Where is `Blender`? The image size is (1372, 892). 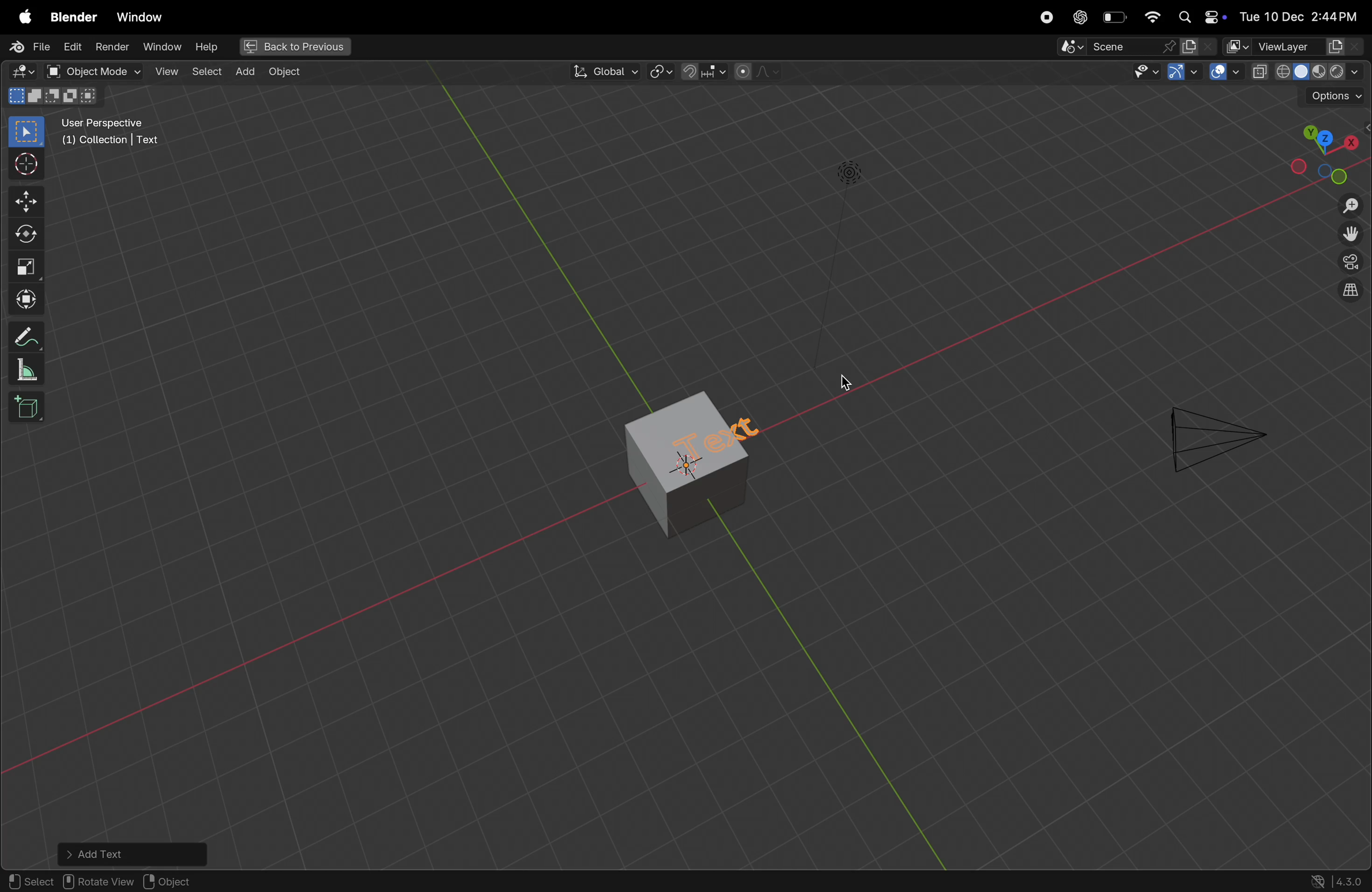
Blender is located at coordinates (72, 18).